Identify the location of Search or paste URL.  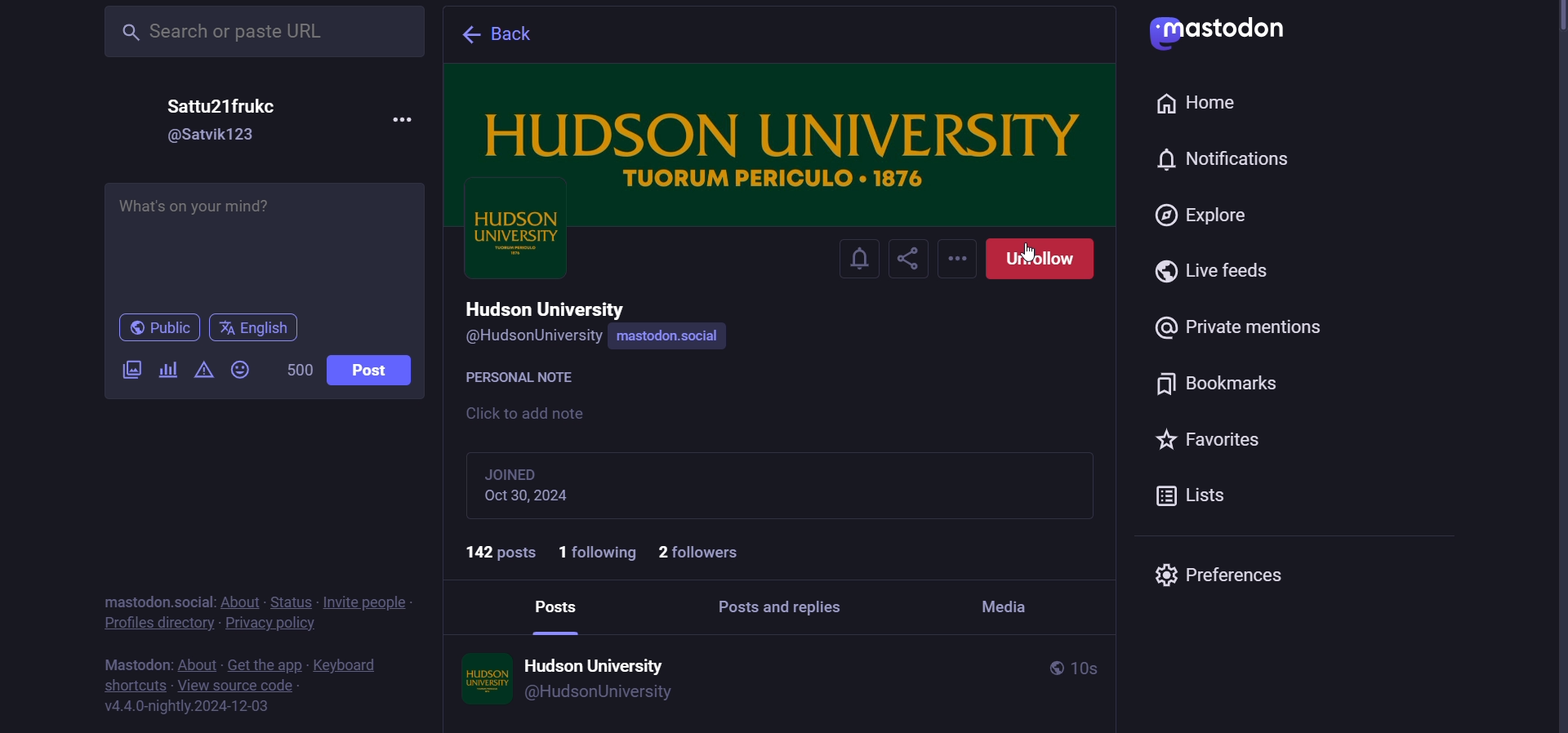
(260, 29).